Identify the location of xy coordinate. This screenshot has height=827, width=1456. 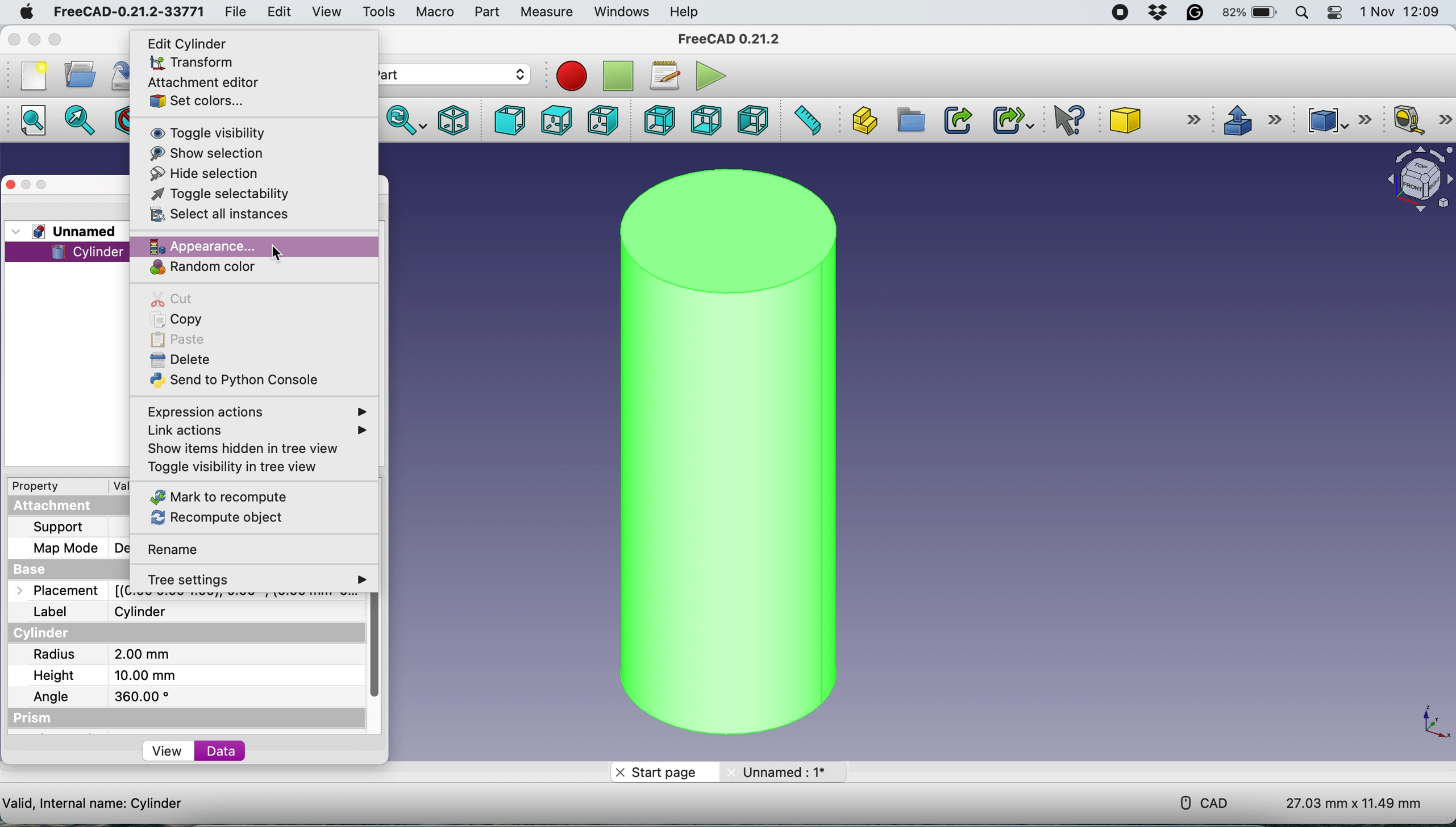
(1432, 721).